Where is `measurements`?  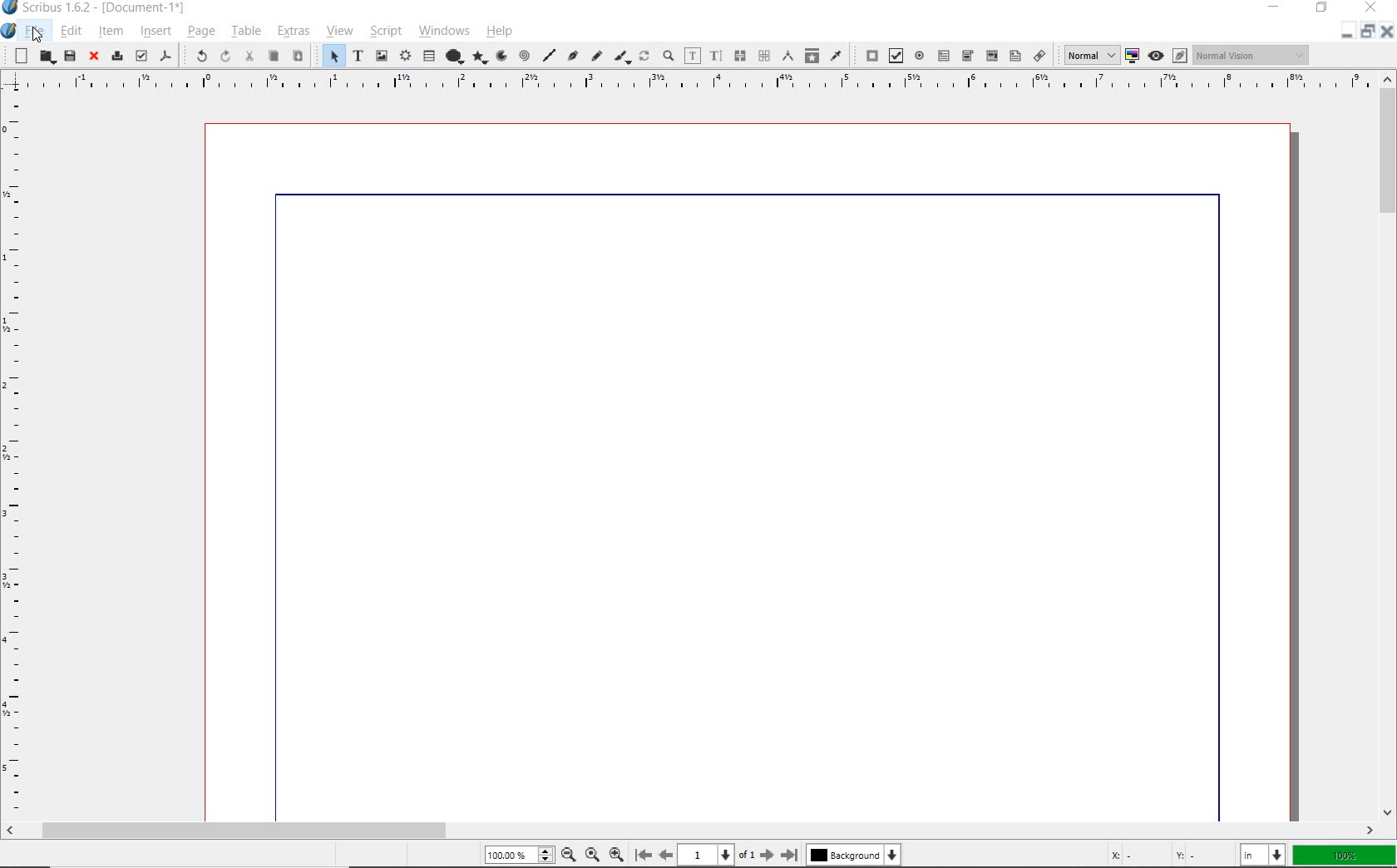 measurements is located at coordinates (789, 56).